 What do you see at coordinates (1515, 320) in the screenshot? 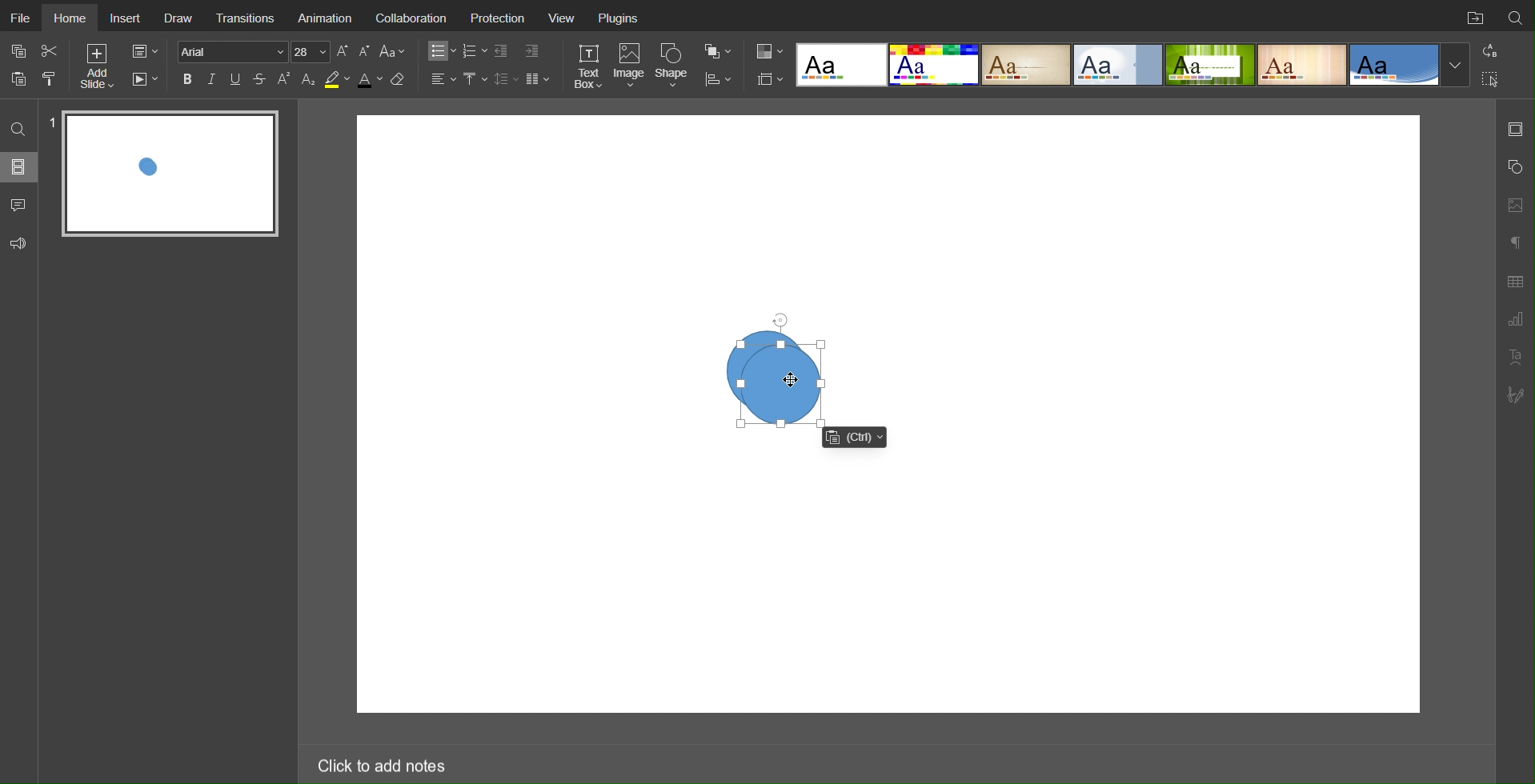
I see `Paragraph Settings` at bounding box center [1515, 320].